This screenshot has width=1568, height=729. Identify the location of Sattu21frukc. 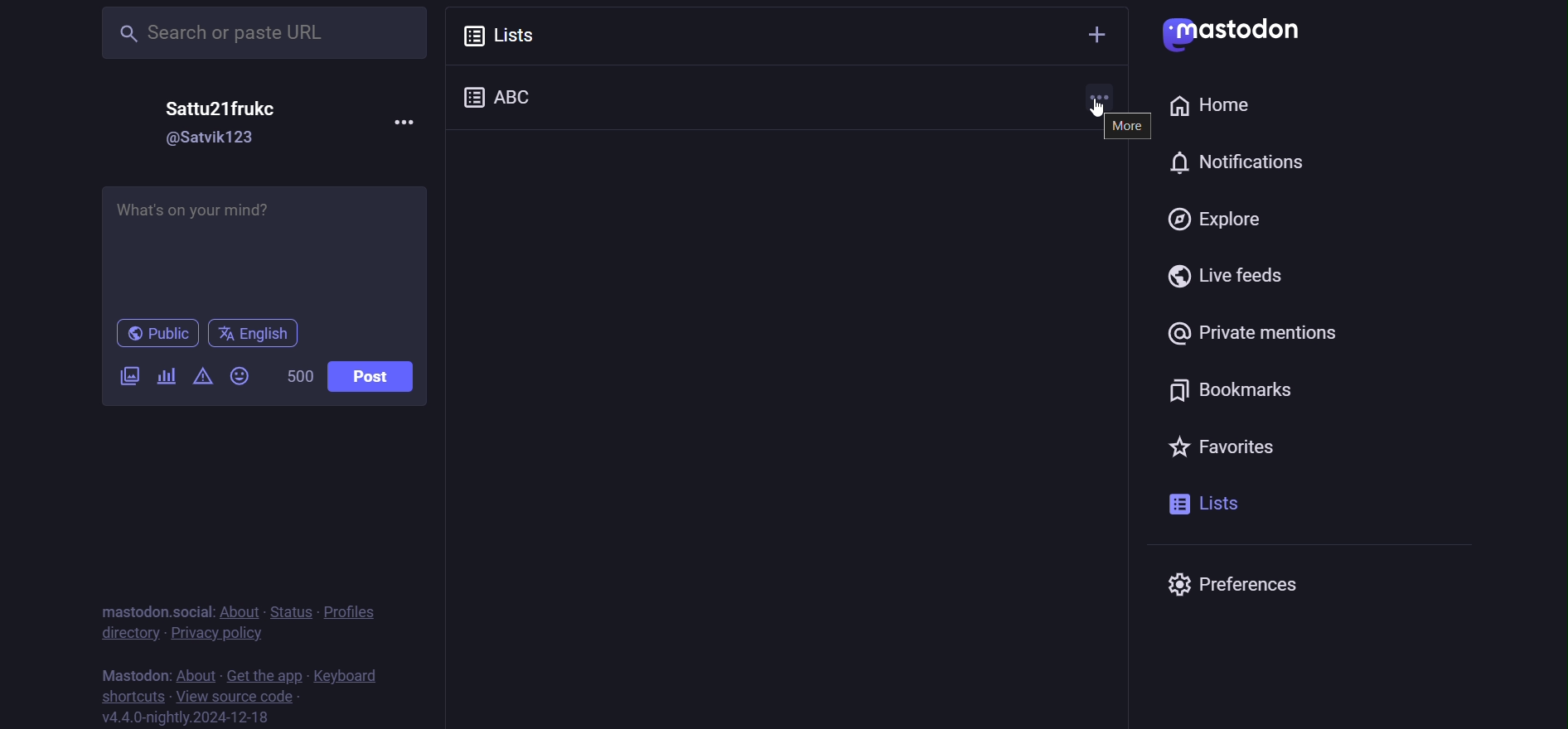
(214, 109).